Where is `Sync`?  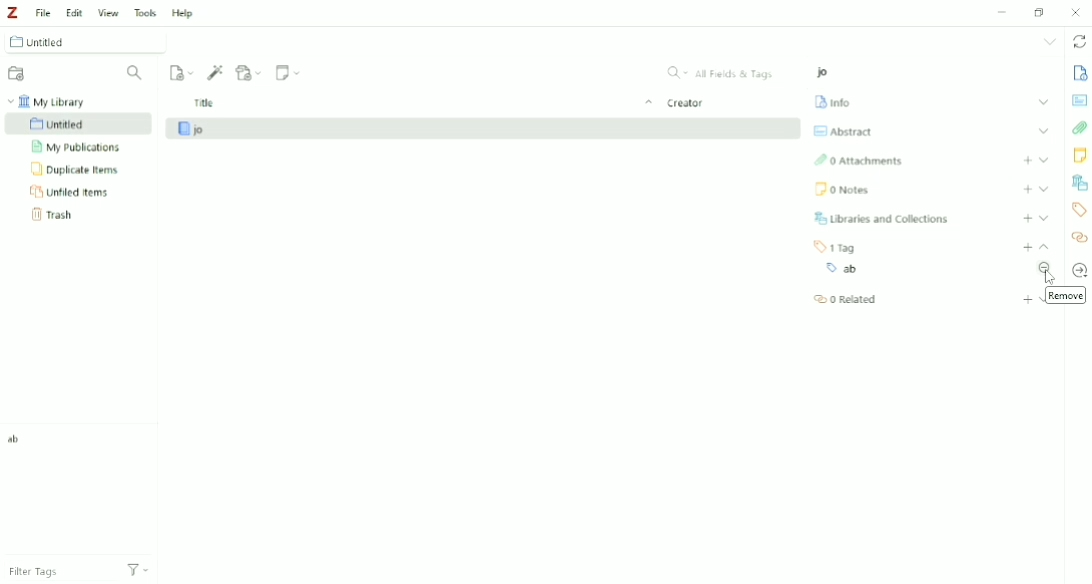
Sync is located at coordinates (1078, 43).